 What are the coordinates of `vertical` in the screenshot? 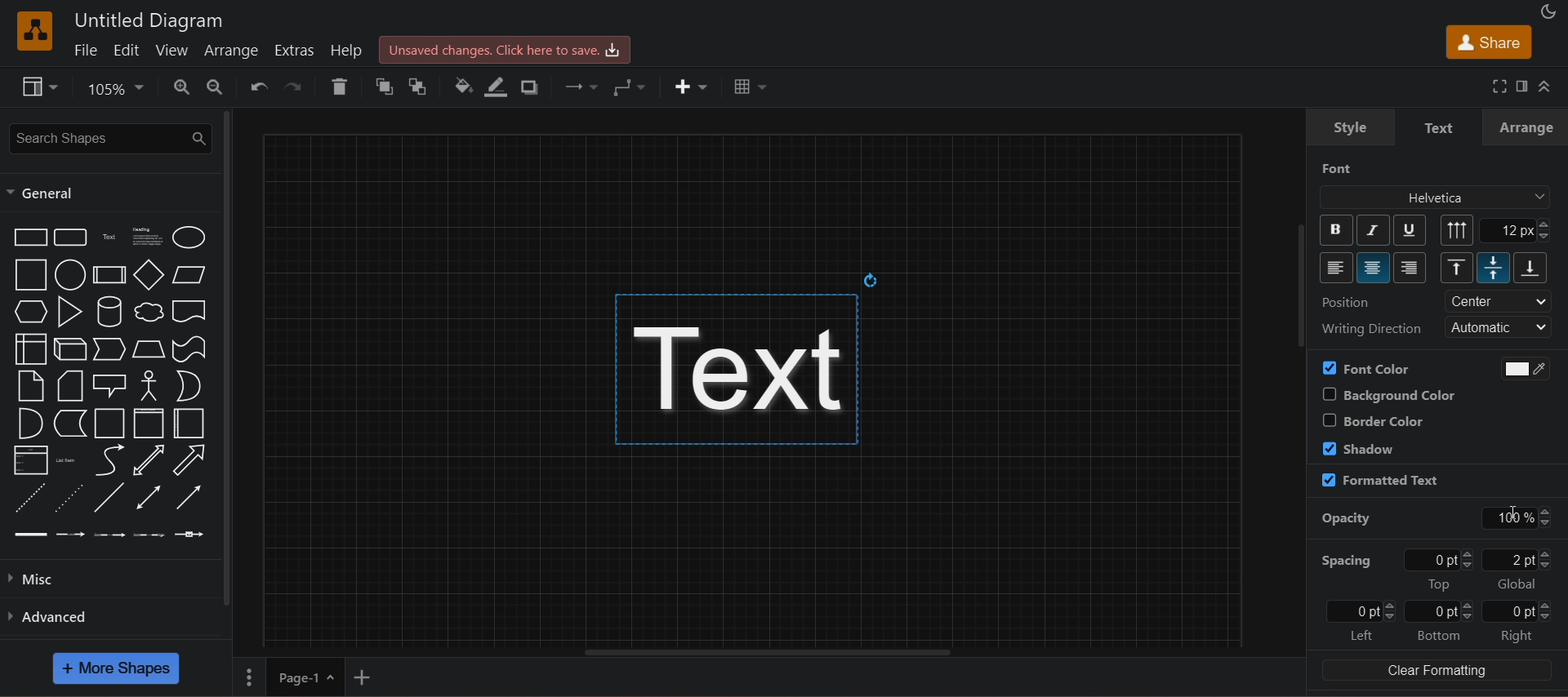 It's located at (1458, 230).